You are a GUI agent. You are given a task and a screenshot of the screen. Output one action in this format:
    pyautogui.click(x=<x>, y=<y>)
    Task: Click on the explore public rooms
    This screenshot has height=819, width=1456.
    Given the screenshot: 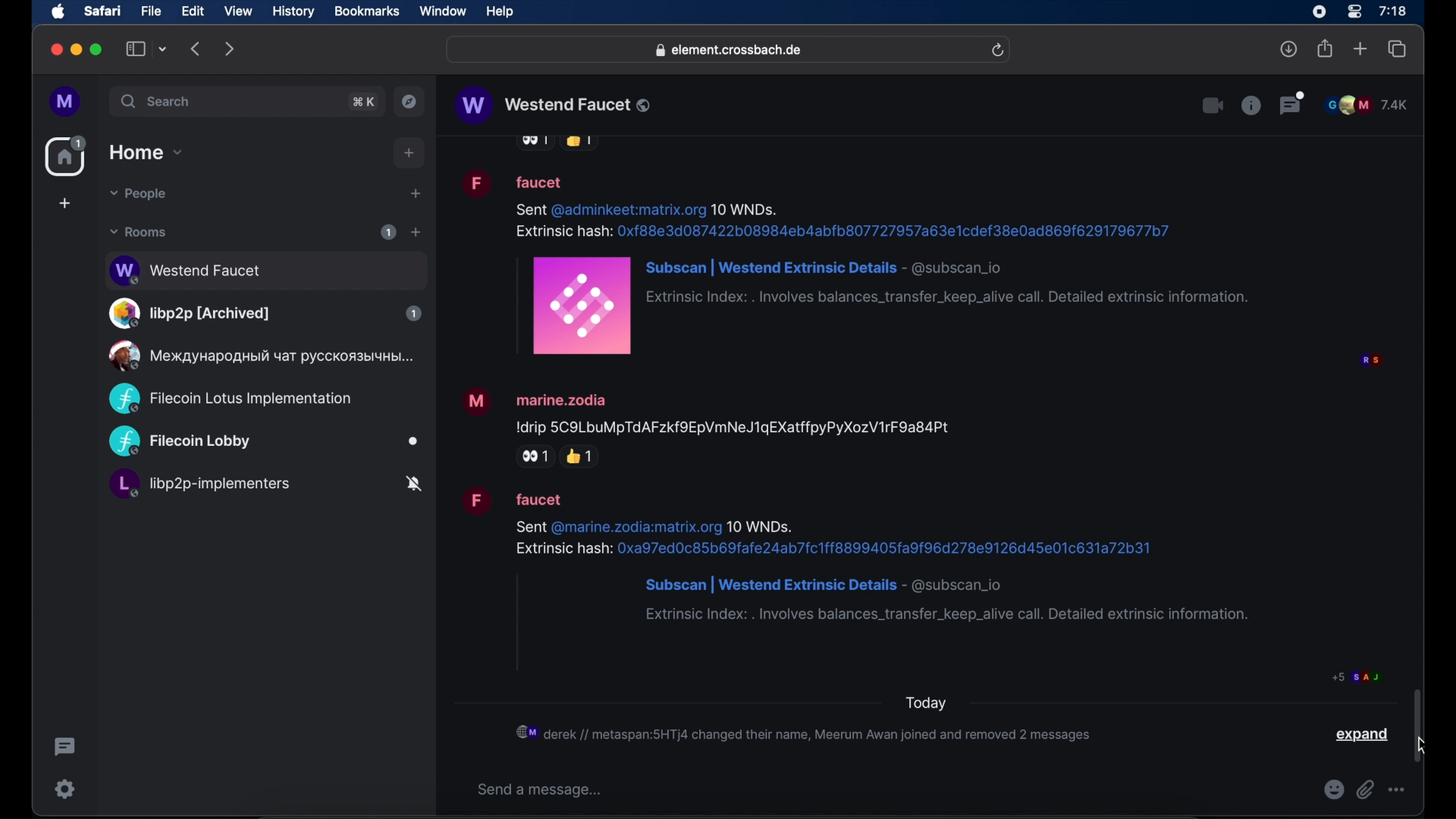 What is the action you would take?
    pyautogui.click(x=409, y=102)
    